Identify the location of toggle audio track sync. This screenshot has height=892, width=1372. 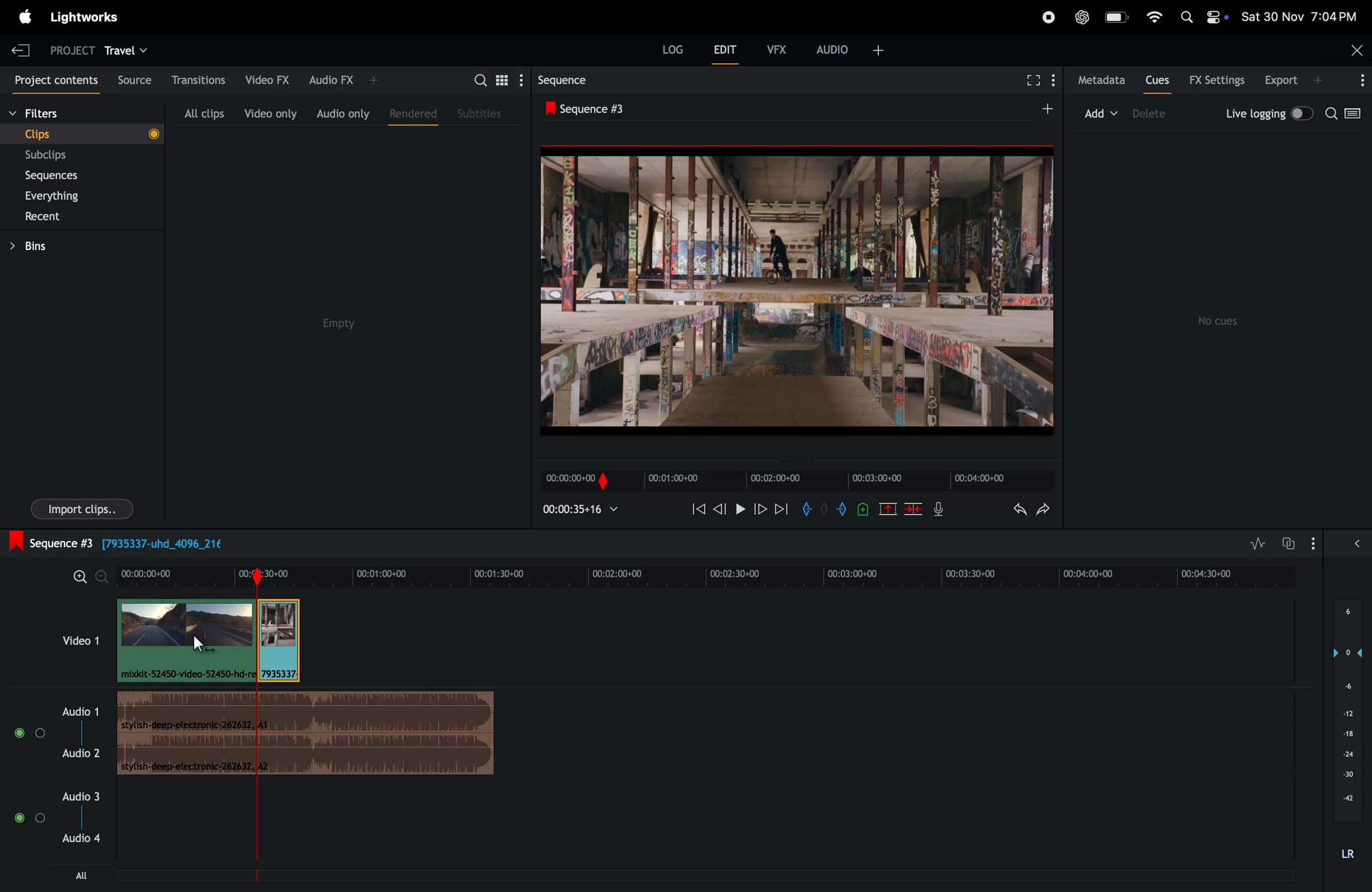
(1286, 543).